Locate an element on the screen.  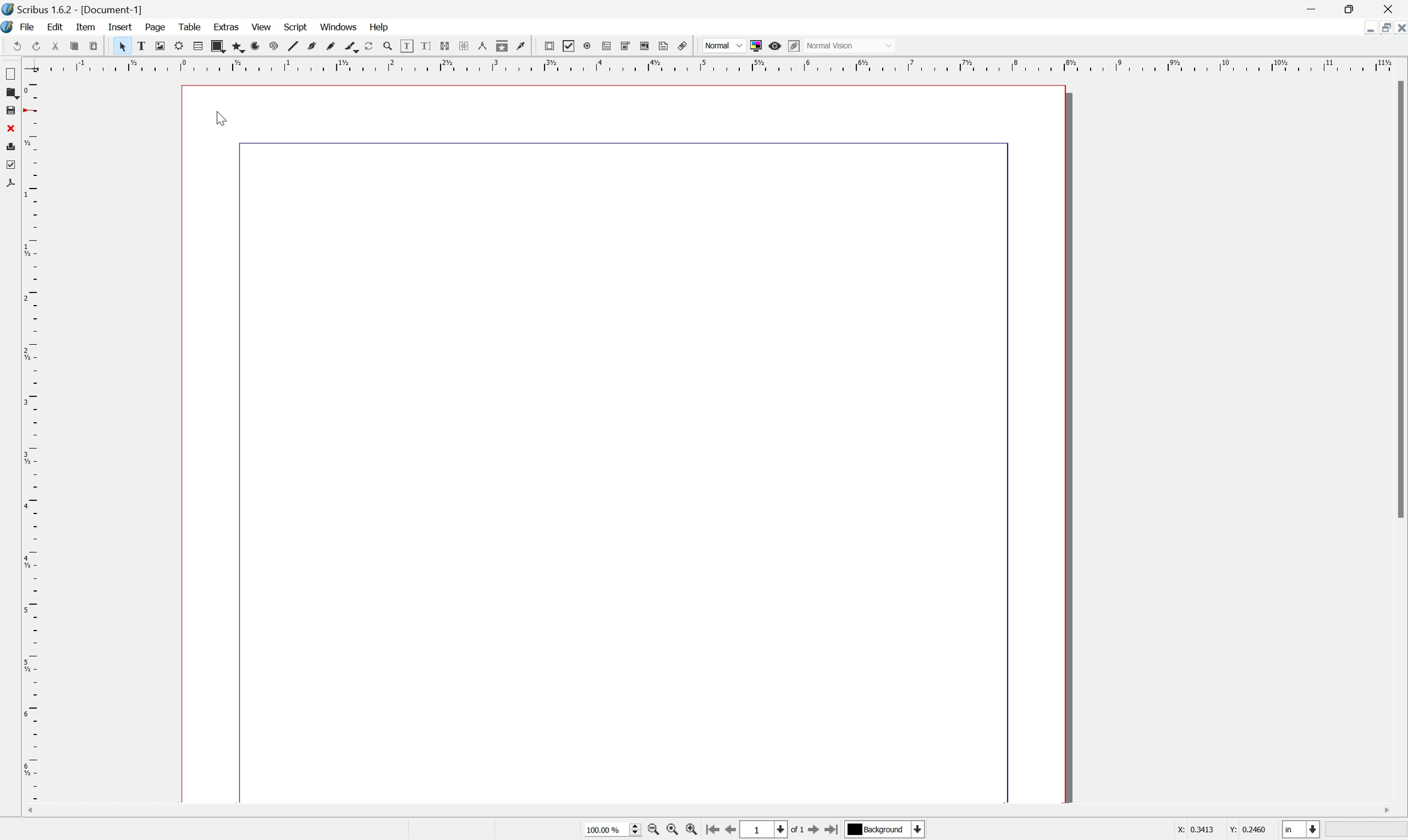
X: 03413 Y: 0.2460 is located at coordinates (1220, 829).